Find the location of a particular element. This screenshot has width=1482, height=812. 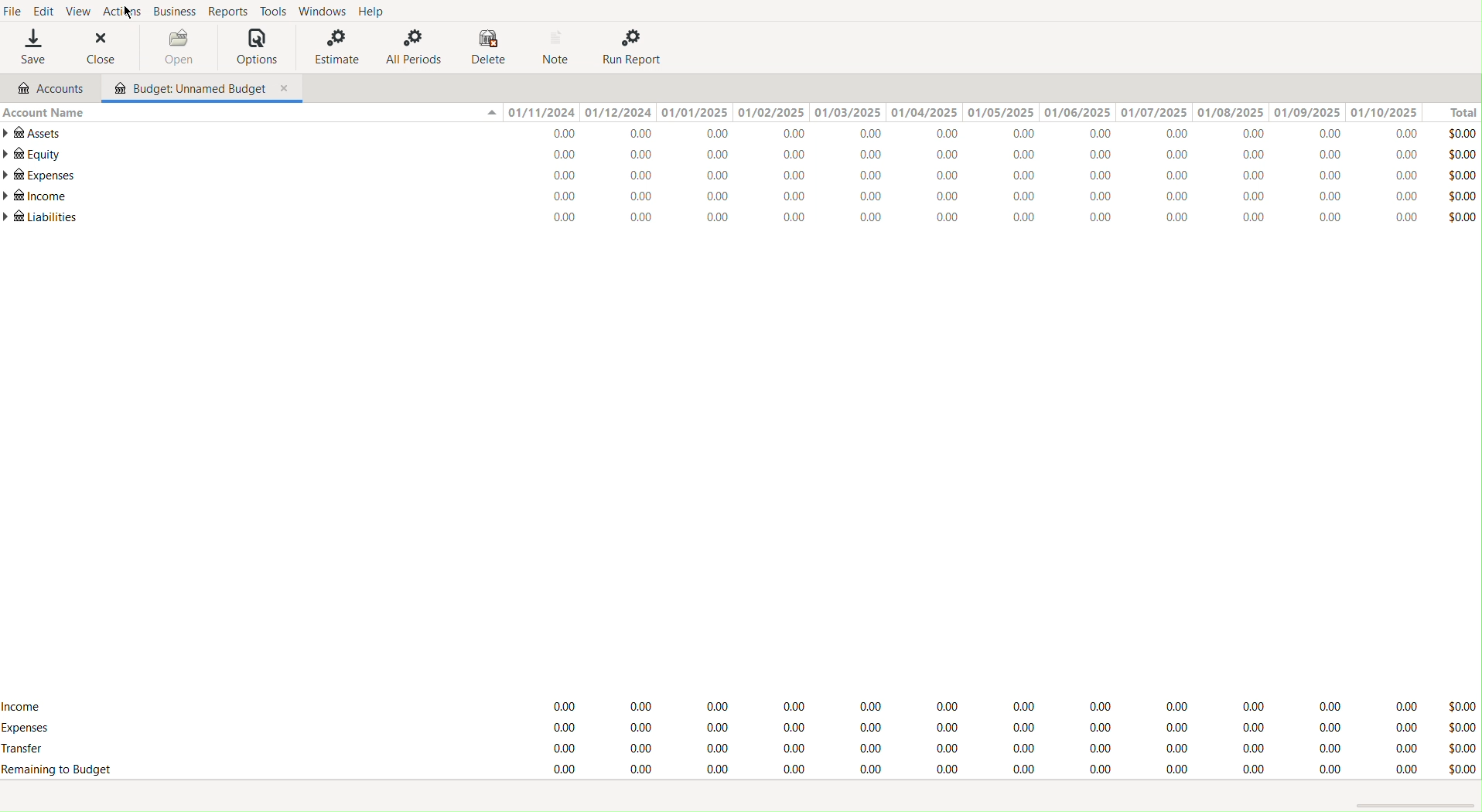

View is located at coordinates (84, 12).